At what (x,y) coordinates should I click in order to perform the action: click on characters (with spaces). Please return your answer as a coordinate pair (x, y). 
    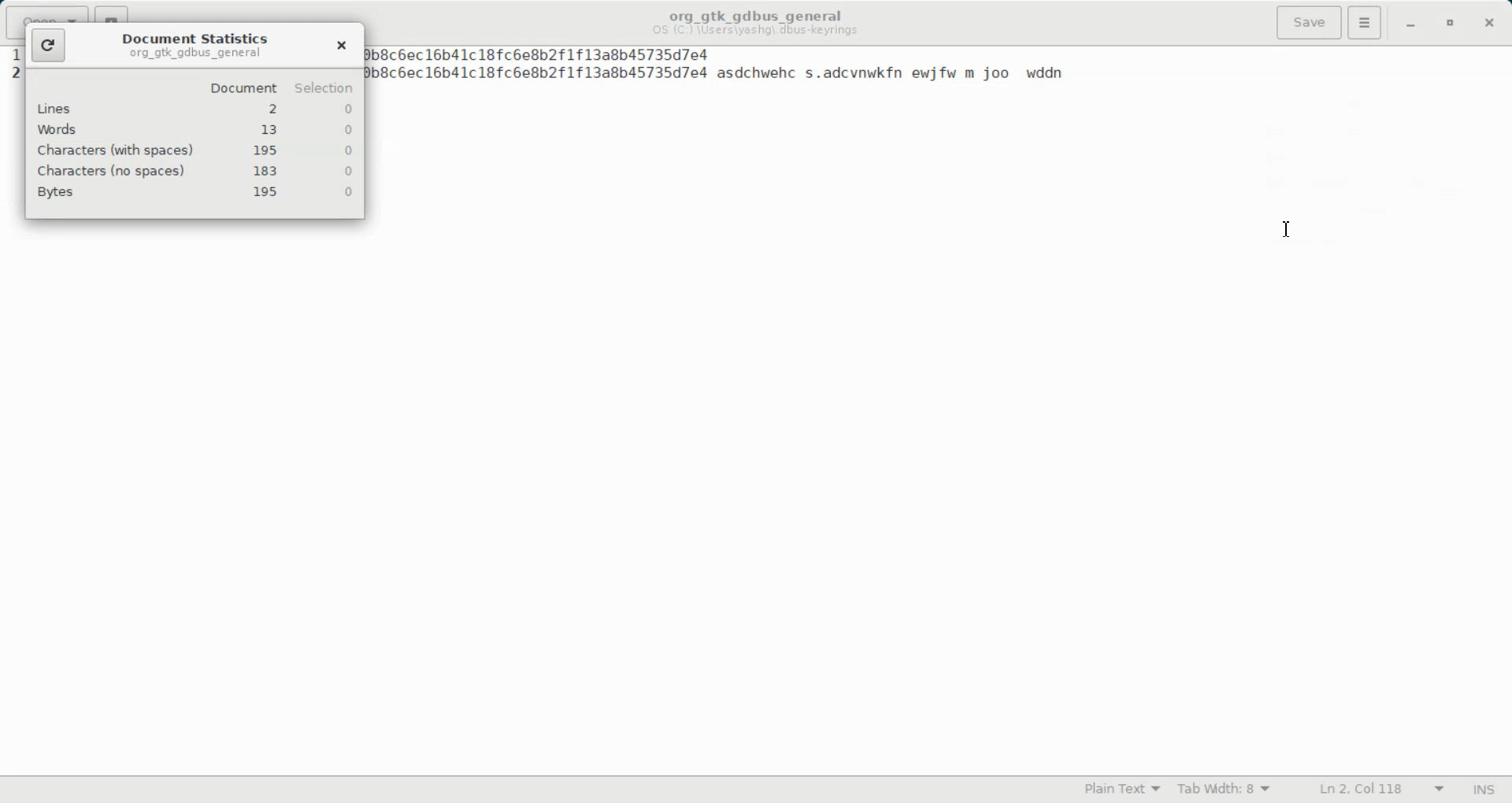
    Looking at the image, I should click on (114, 151).